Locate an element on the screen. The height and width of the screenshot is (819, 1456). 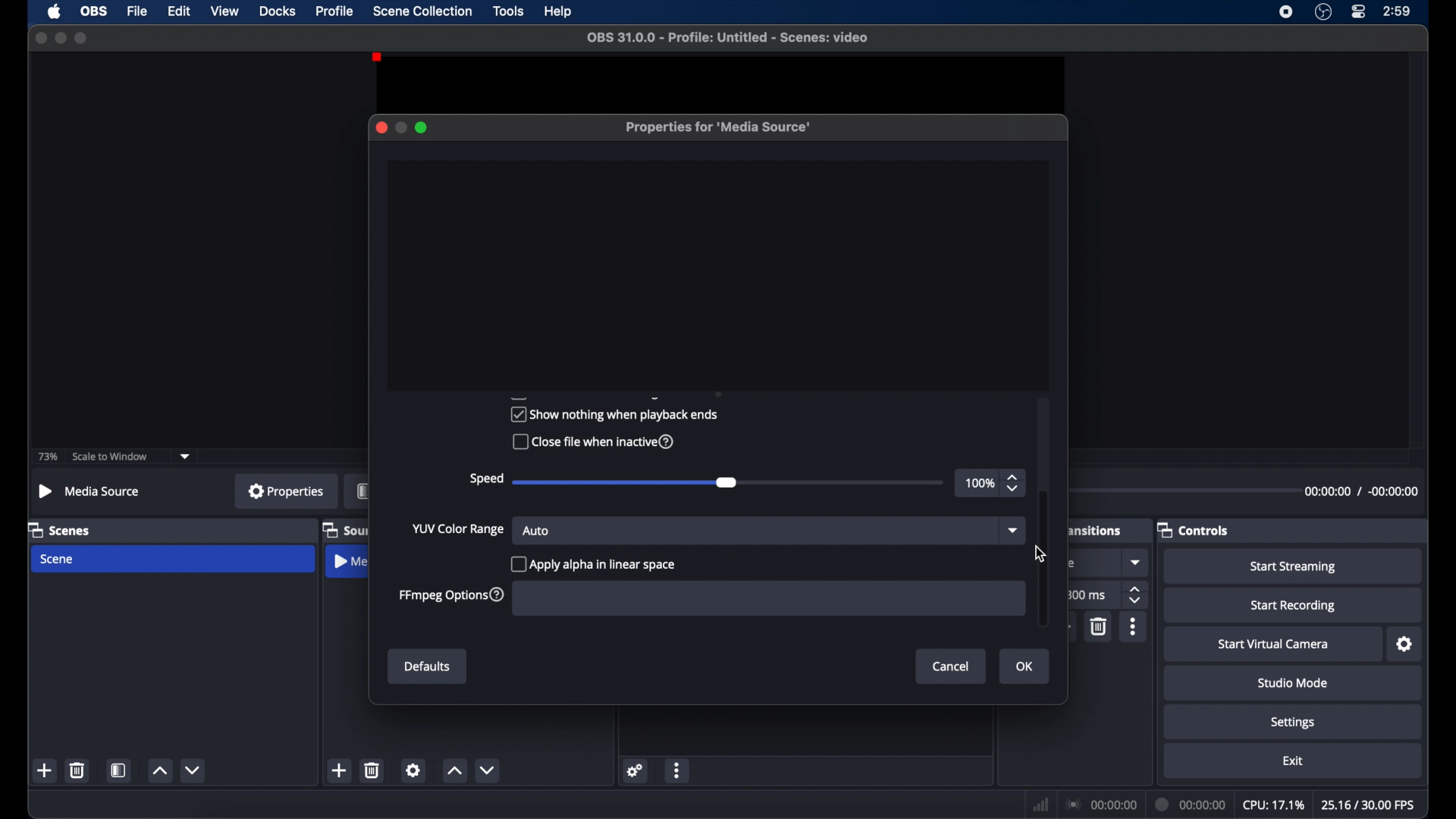
settings is located at coordinates (413, 770).